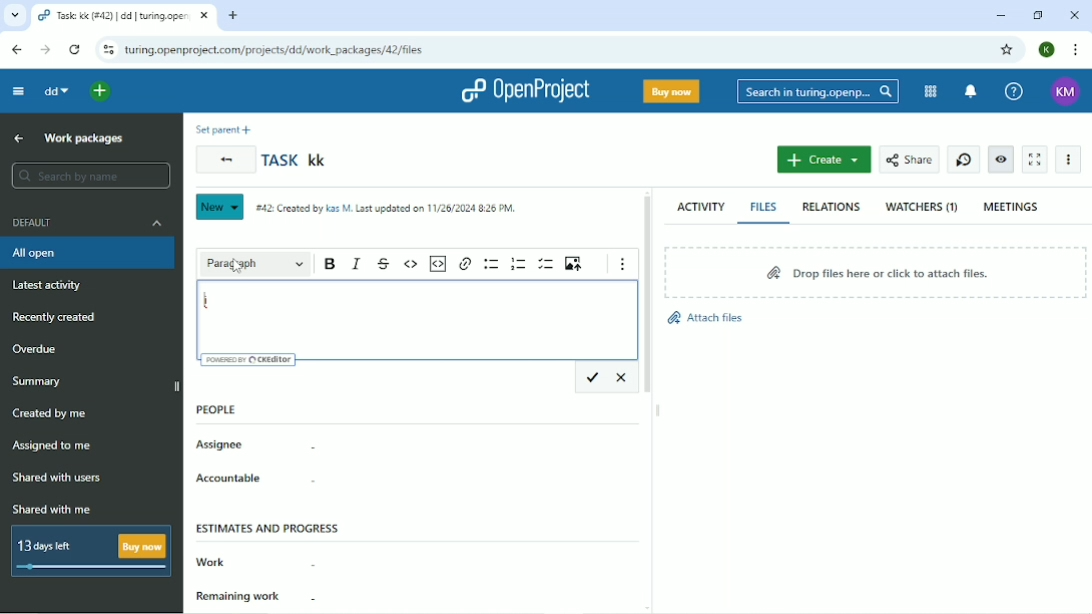  What do you see at coordinates (519, 264) in the screenshot?
I see `Numbered list` at bounding box center [519, 264].